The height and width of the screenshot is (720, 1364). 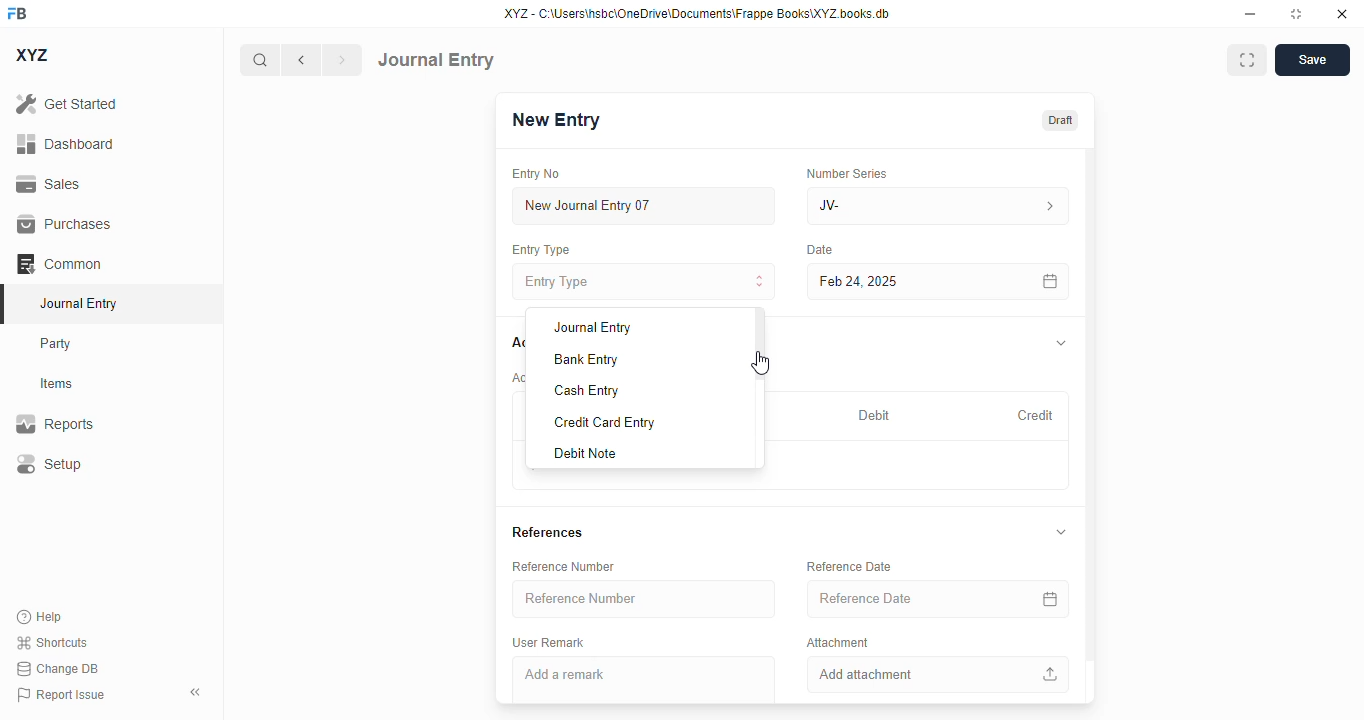 I want to click on close, so click(x=1342, y=14).